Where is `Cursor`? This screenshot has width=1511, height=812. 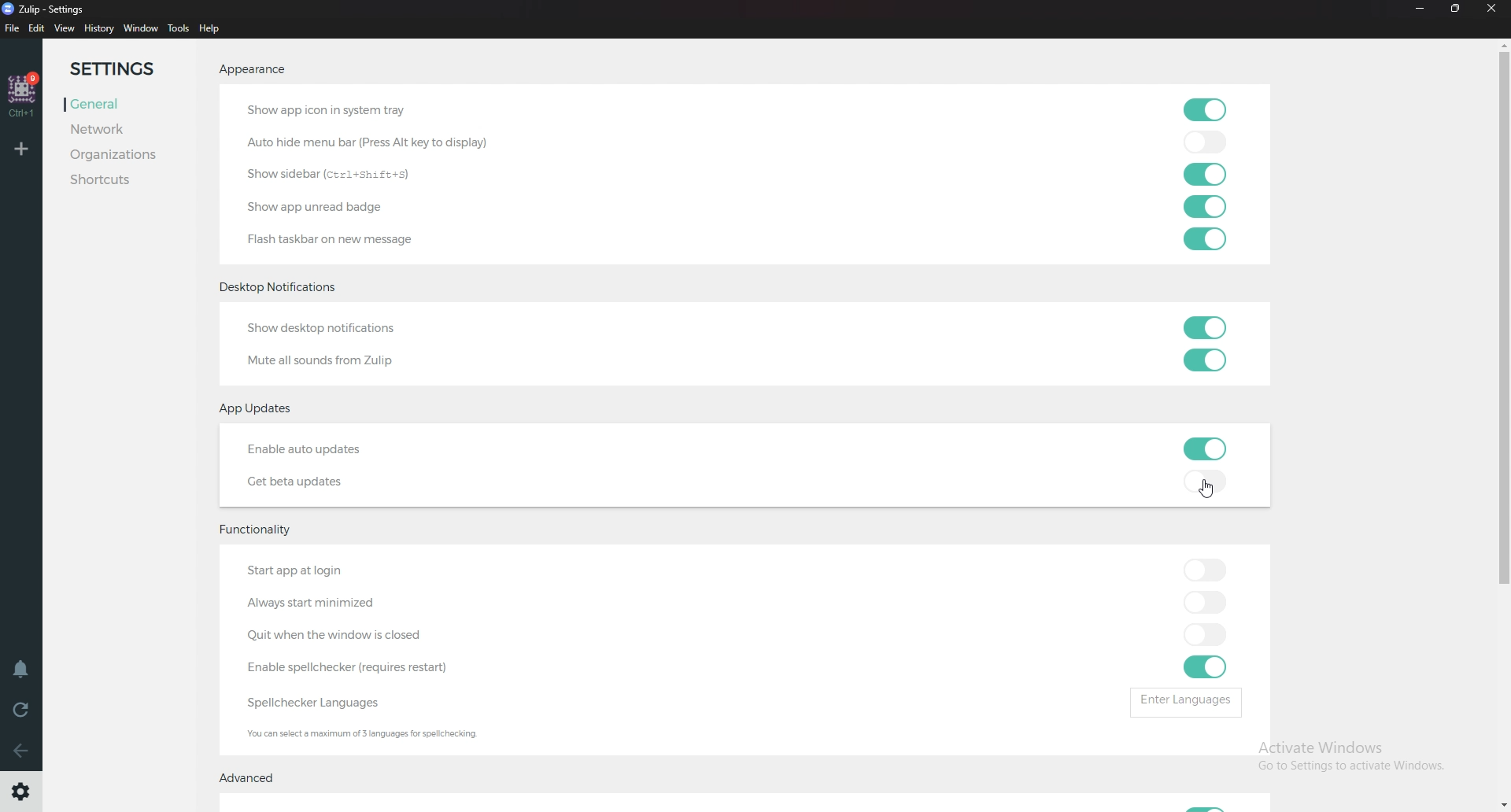 Cursor is located at coordinates (1217, 491).